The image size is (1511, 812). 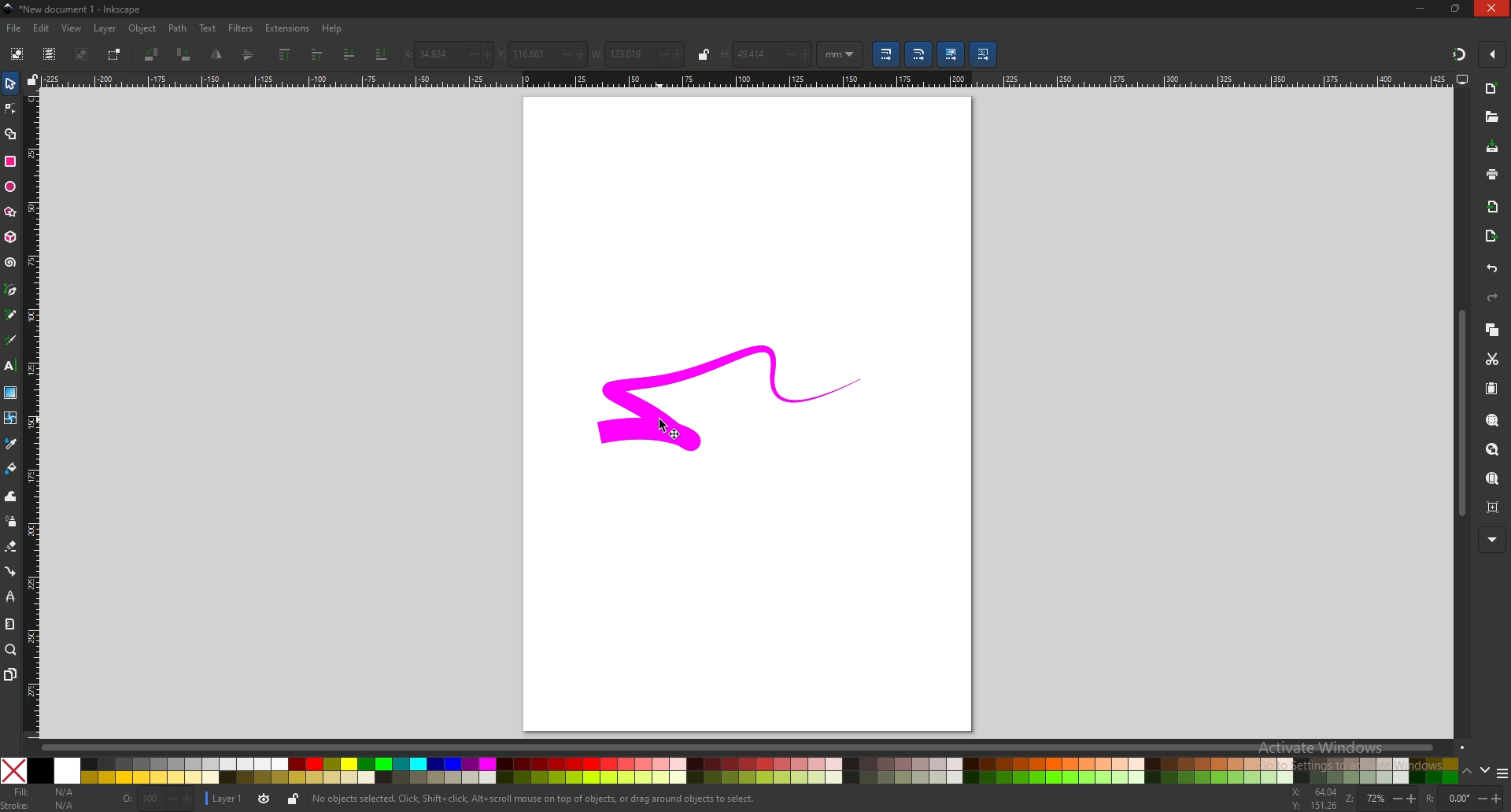 I want to click on tweak, so click(x=12, y=497).